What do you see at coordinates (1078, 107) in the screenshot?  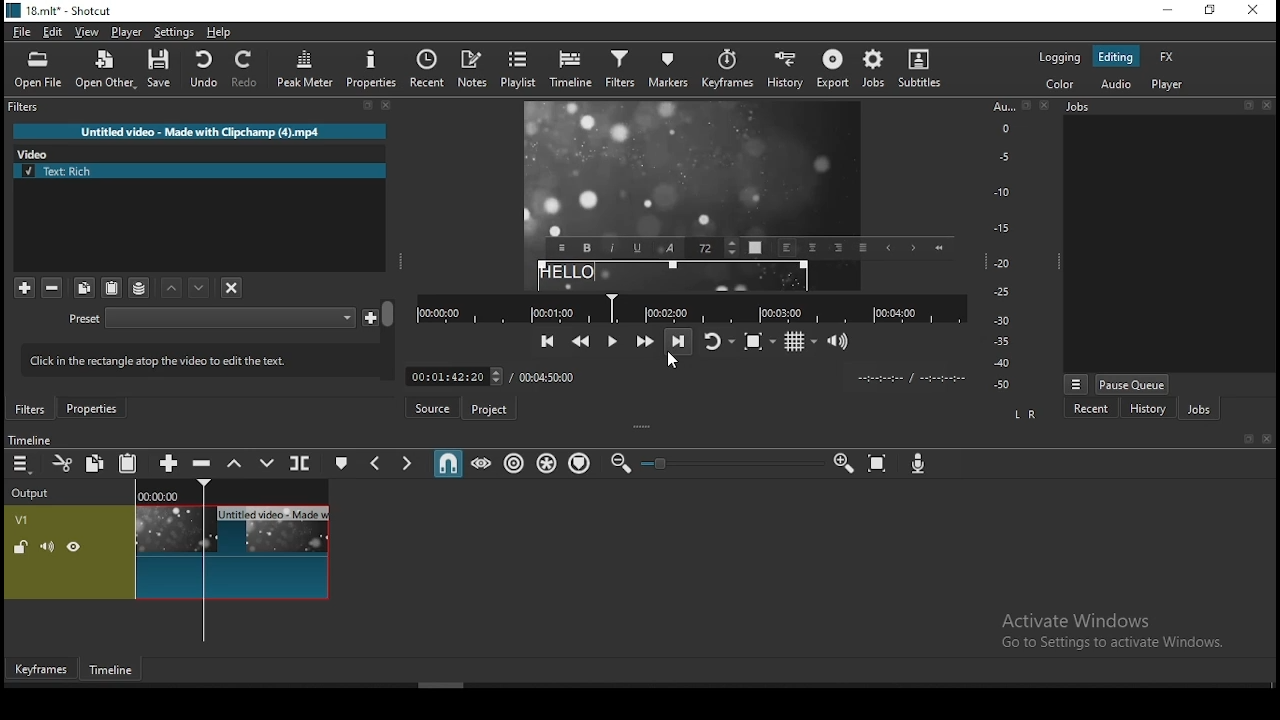 I see `Jobs` at bounding box center [1078, 107].